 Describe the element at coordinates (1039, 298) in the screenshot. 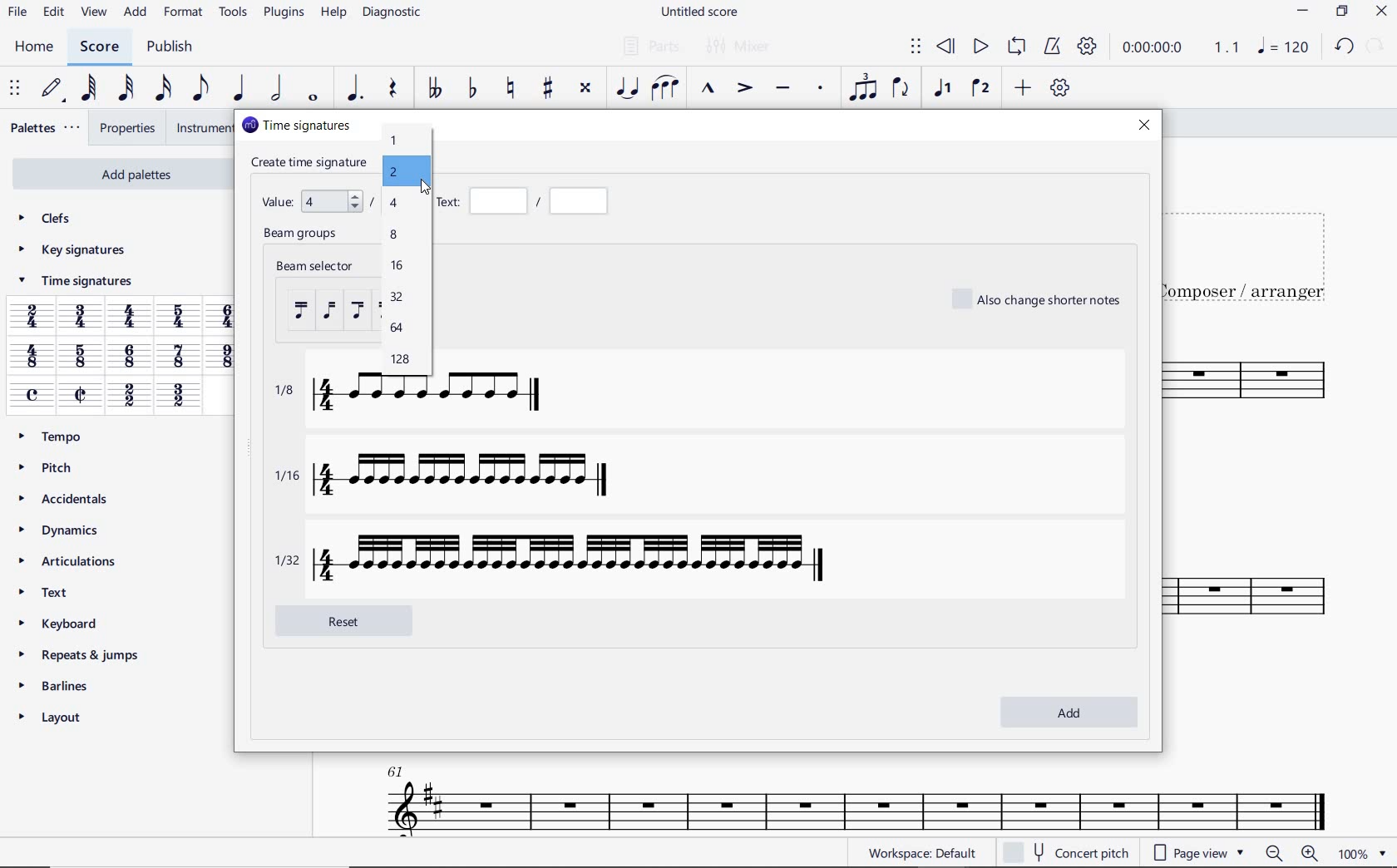

I see `also change shorter notes` at that location.